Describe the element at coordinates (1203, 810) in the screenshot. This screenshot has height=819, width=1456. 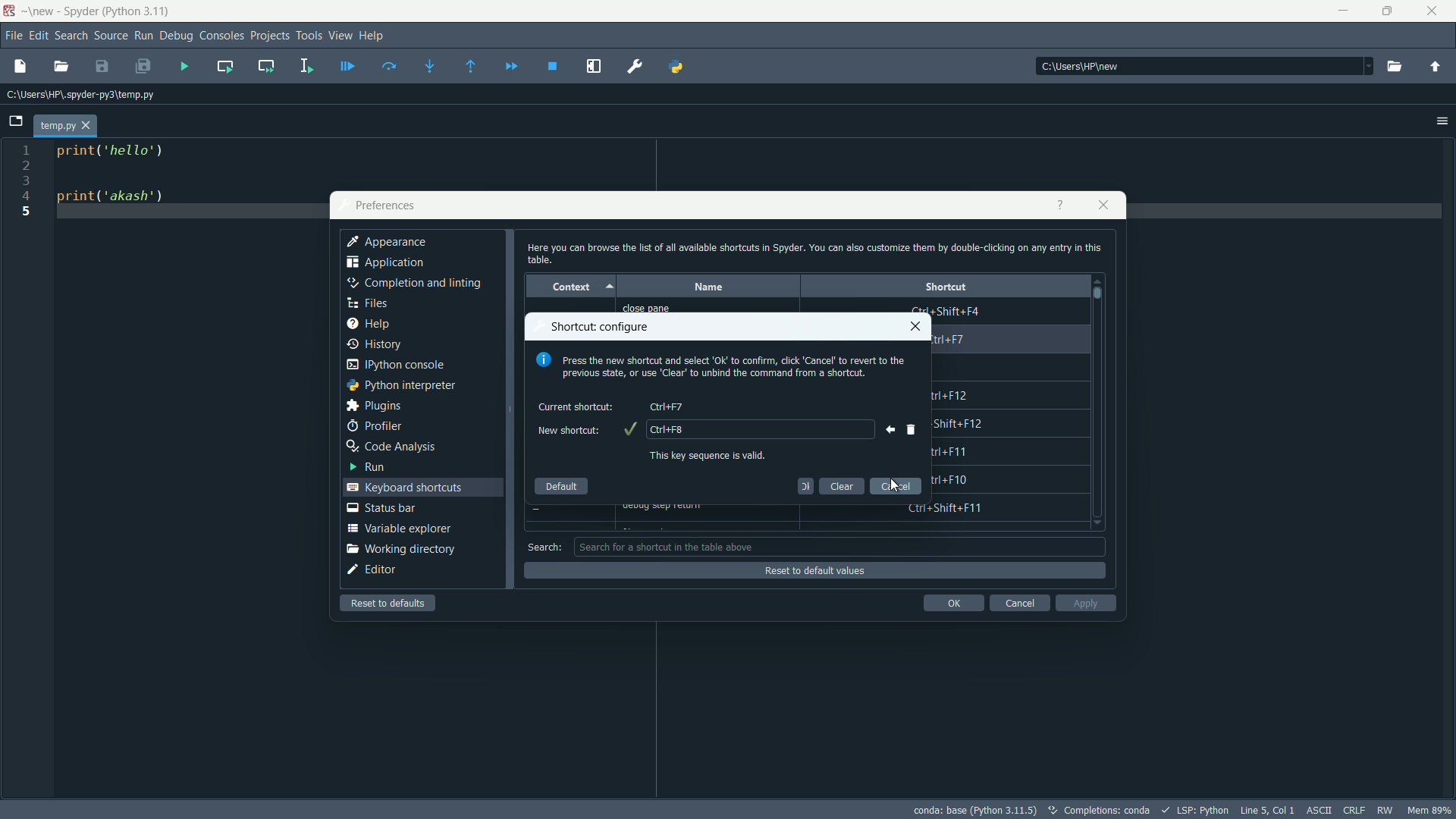
I see `LSP:Python` at that location.